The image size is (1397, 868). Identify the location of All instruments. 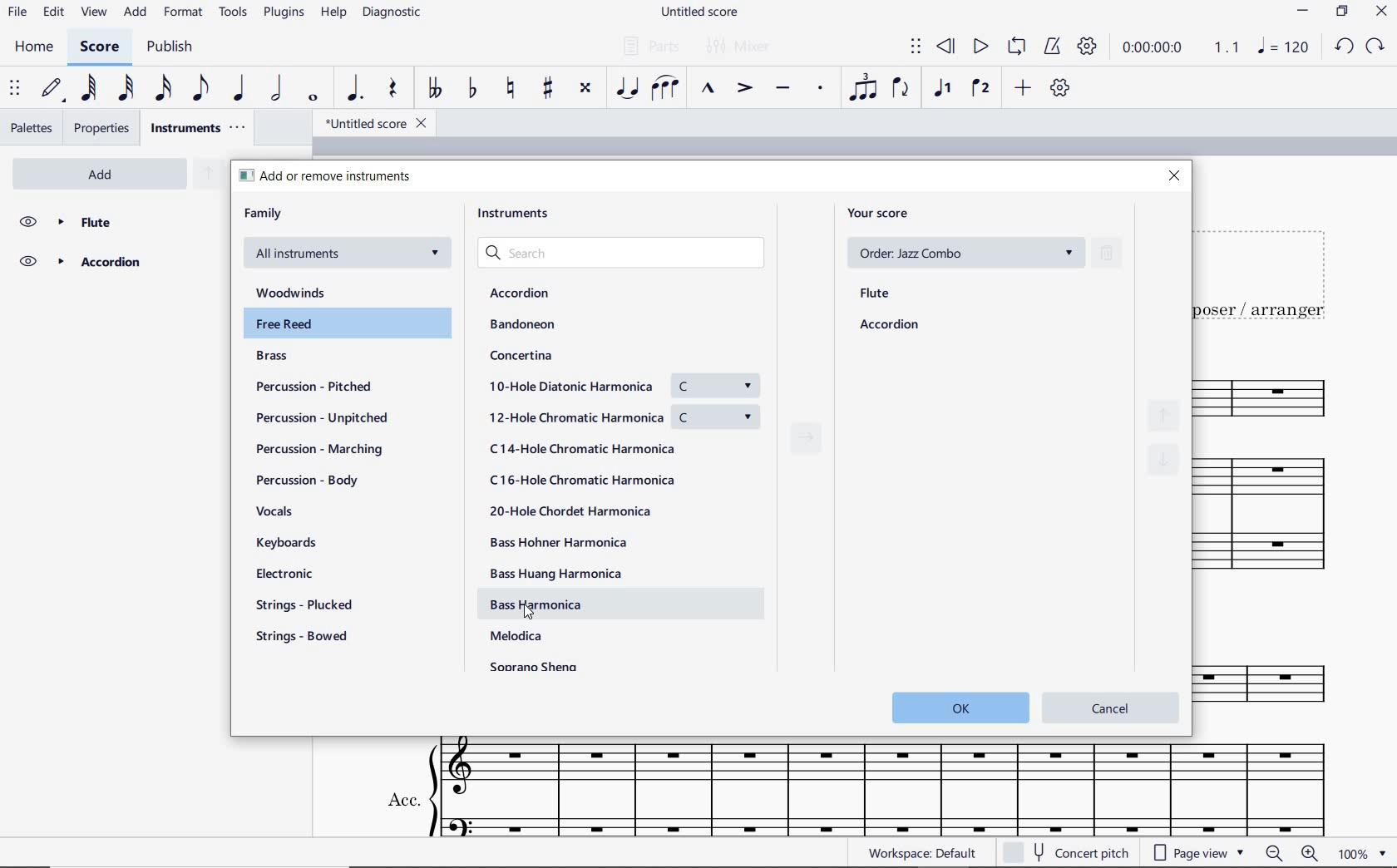
(349, 257).